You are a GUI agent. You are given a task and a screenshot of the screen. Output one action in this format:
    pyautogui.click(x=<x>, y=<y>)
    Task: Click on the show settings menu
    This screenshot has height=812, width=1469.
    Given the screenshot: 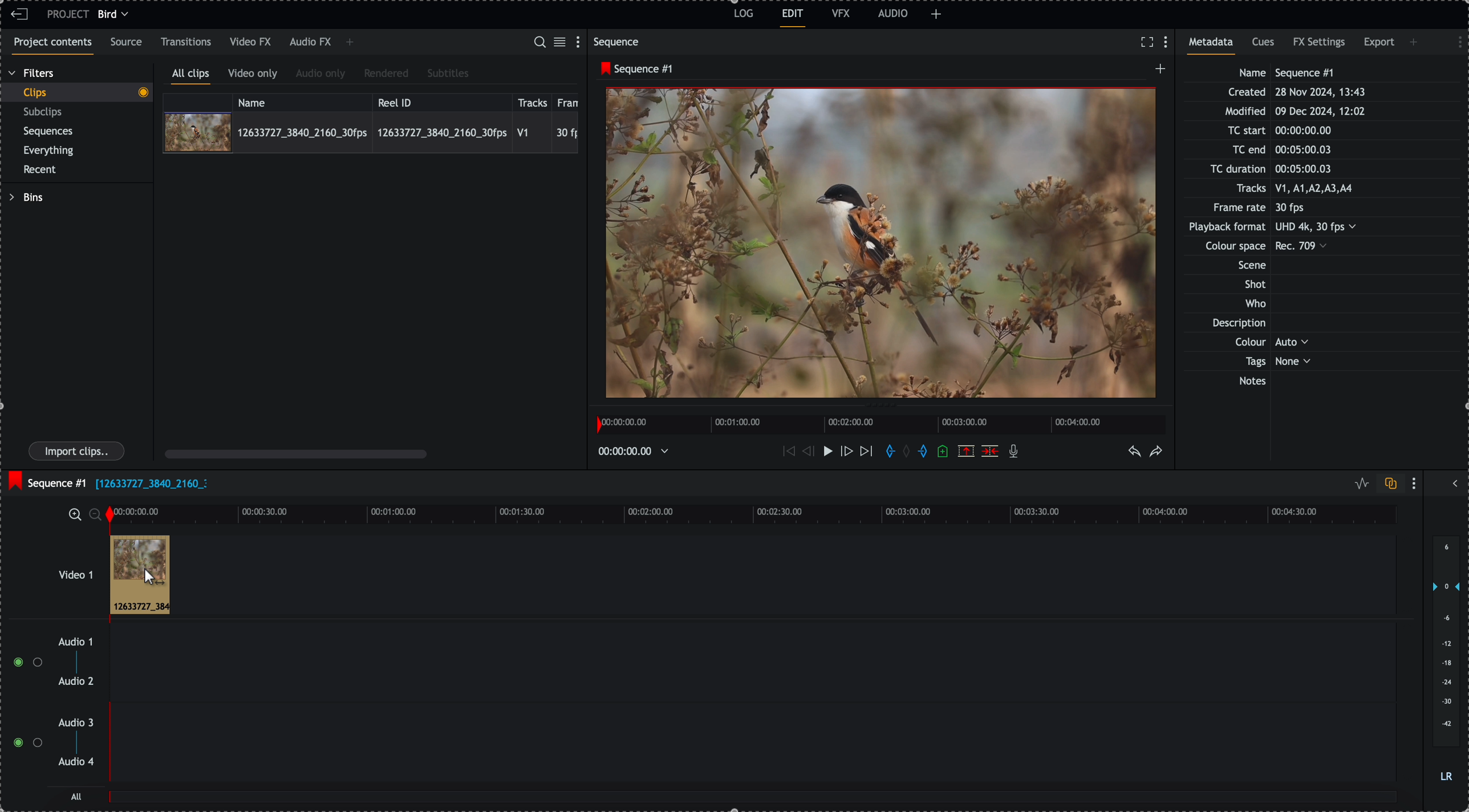 What is the action you would take?
    pyautogui.click(x=1454, y=40)
    